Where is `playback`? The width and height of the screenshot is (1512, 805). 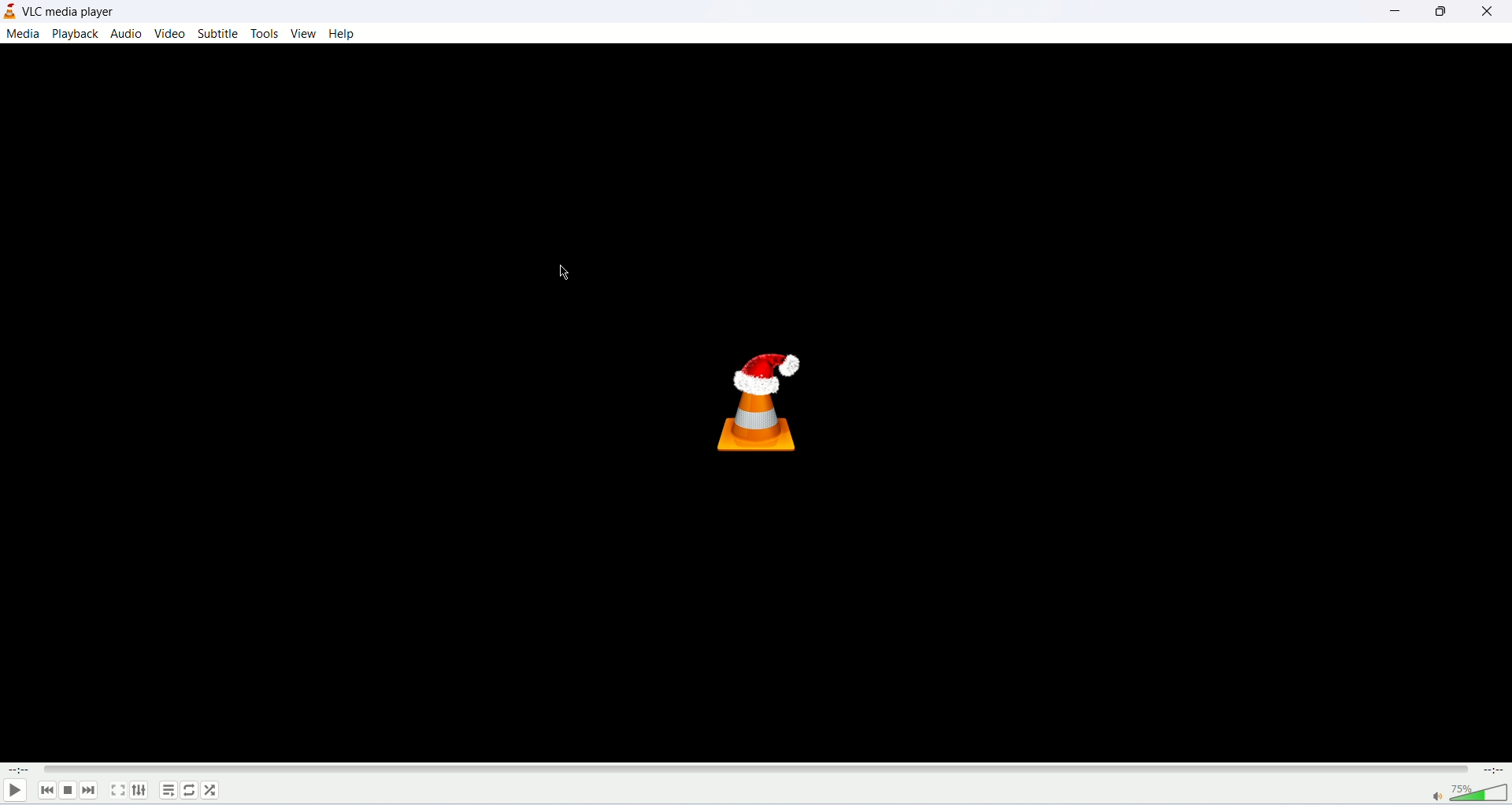 playback is located at coordinates (76, 34).